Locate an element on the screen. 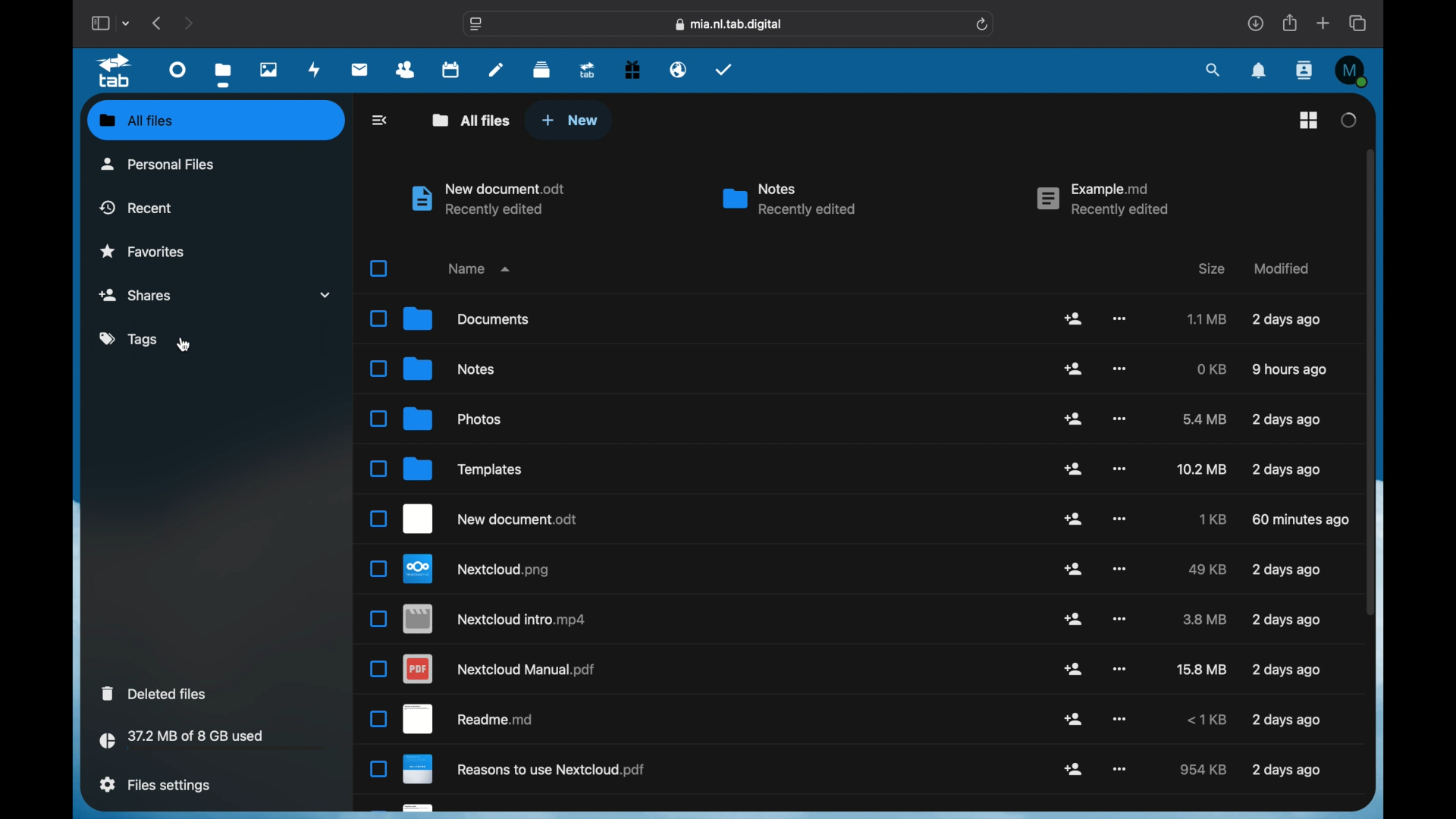 The image size is (1456, 819). nextcloud manual is located at coordinates (500, 668).